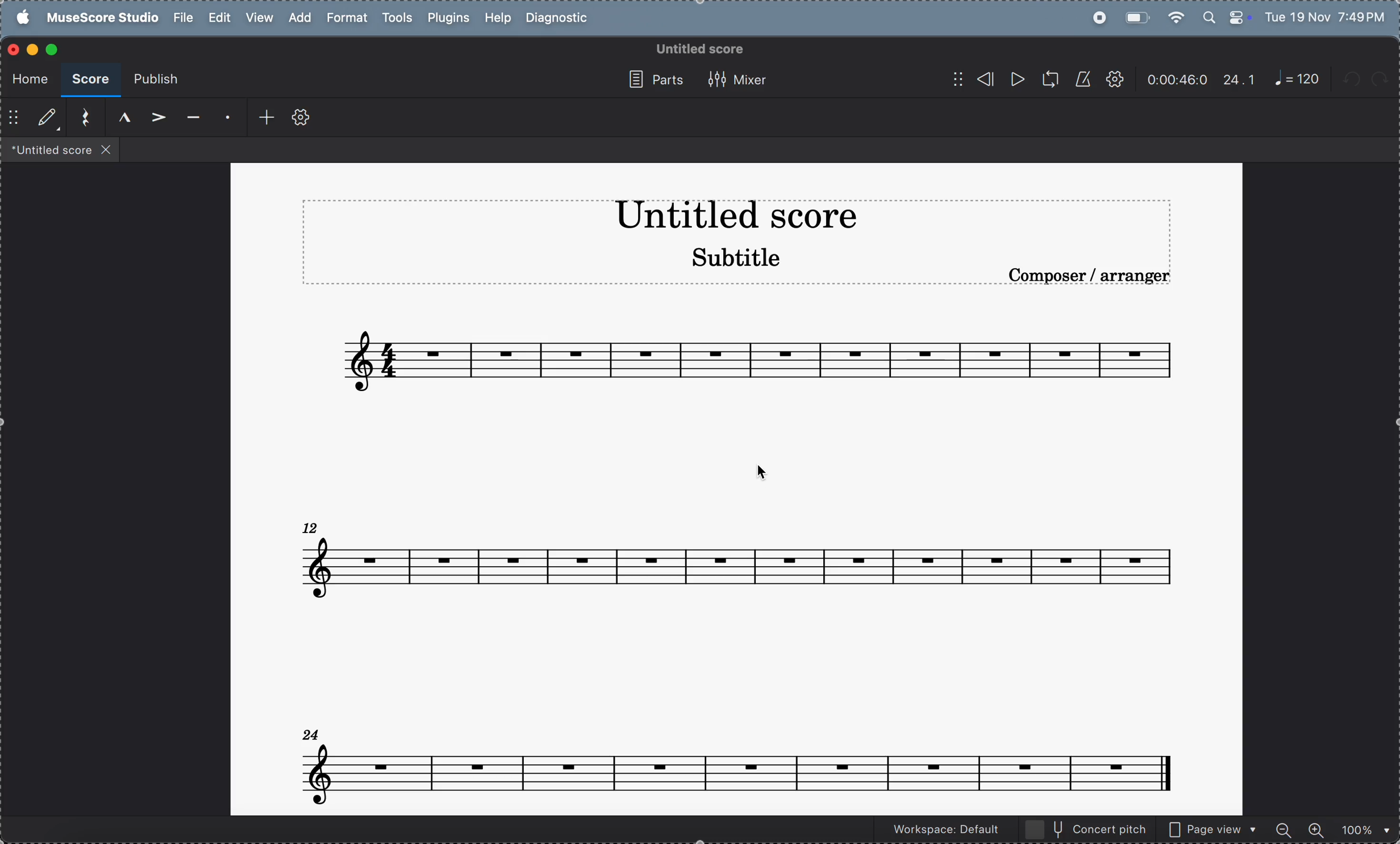 The height and width of the screenshot is (844, 1400). What do you see at coordinates (1046, 80) in the screenshot?
I see `loopback` at bounding box center [1046, 80].